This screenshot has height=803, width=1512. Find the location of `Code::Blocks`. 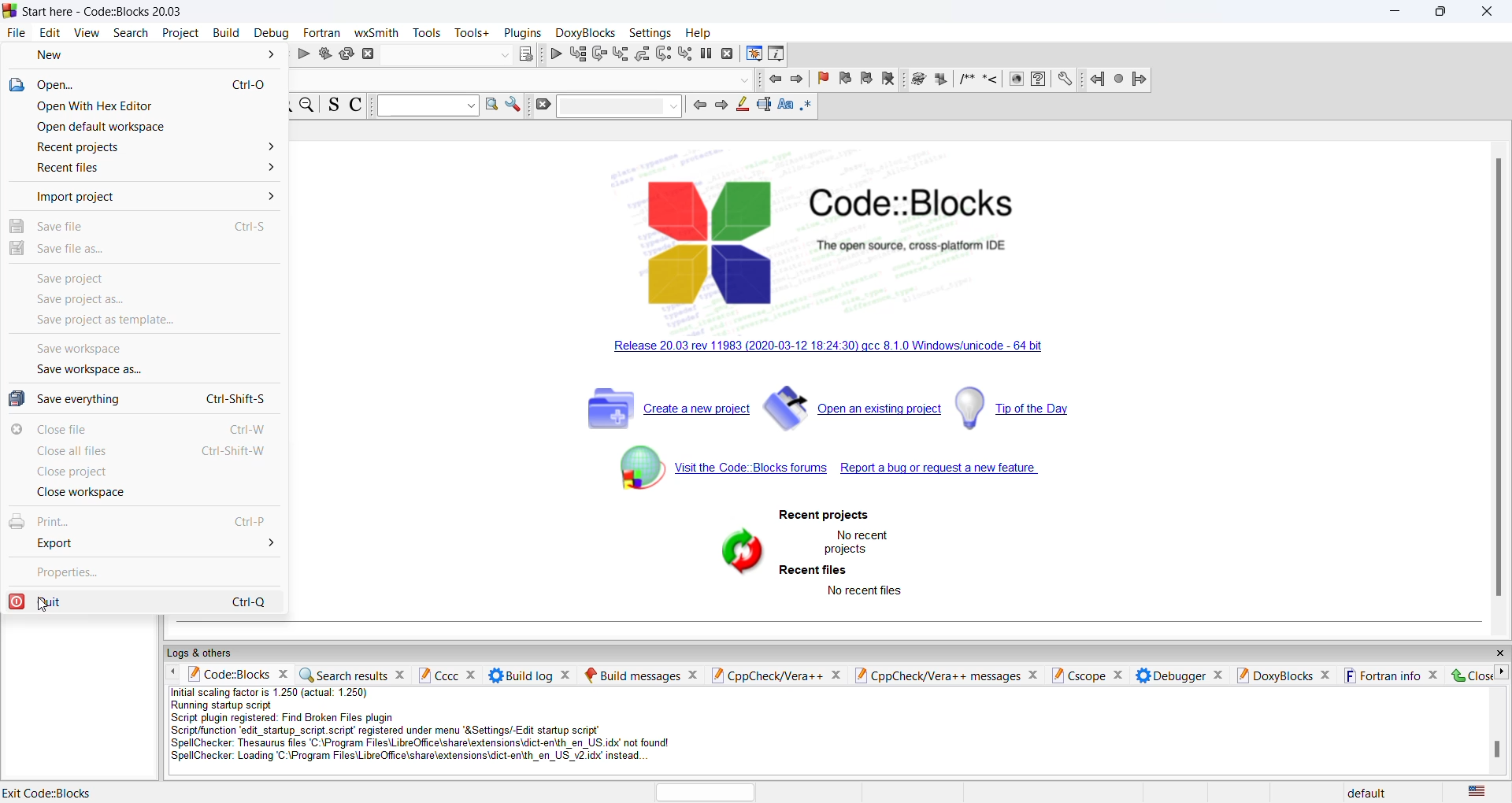

Code::Blocks is located at coordinates (915, 202).